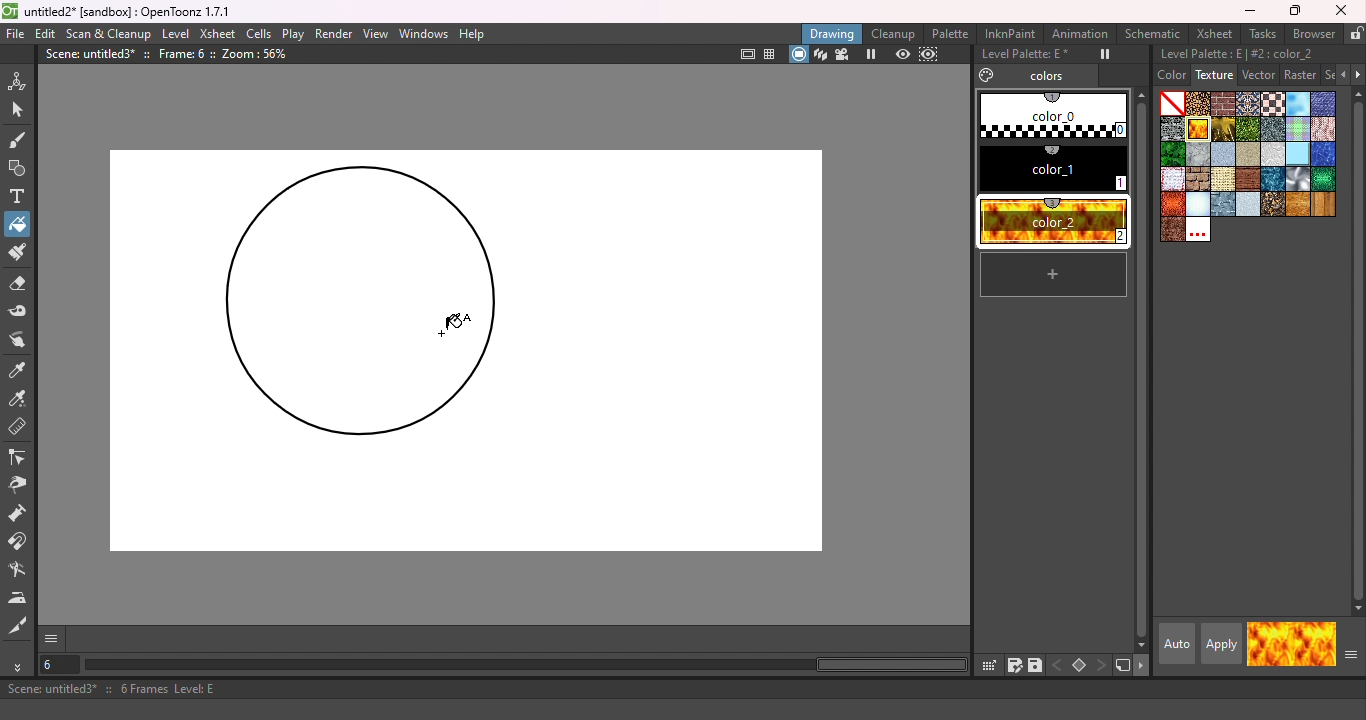 The width and height of the screenshot is (1366, 720). I want to click on Lock rooms tab, so click(1355, 33).